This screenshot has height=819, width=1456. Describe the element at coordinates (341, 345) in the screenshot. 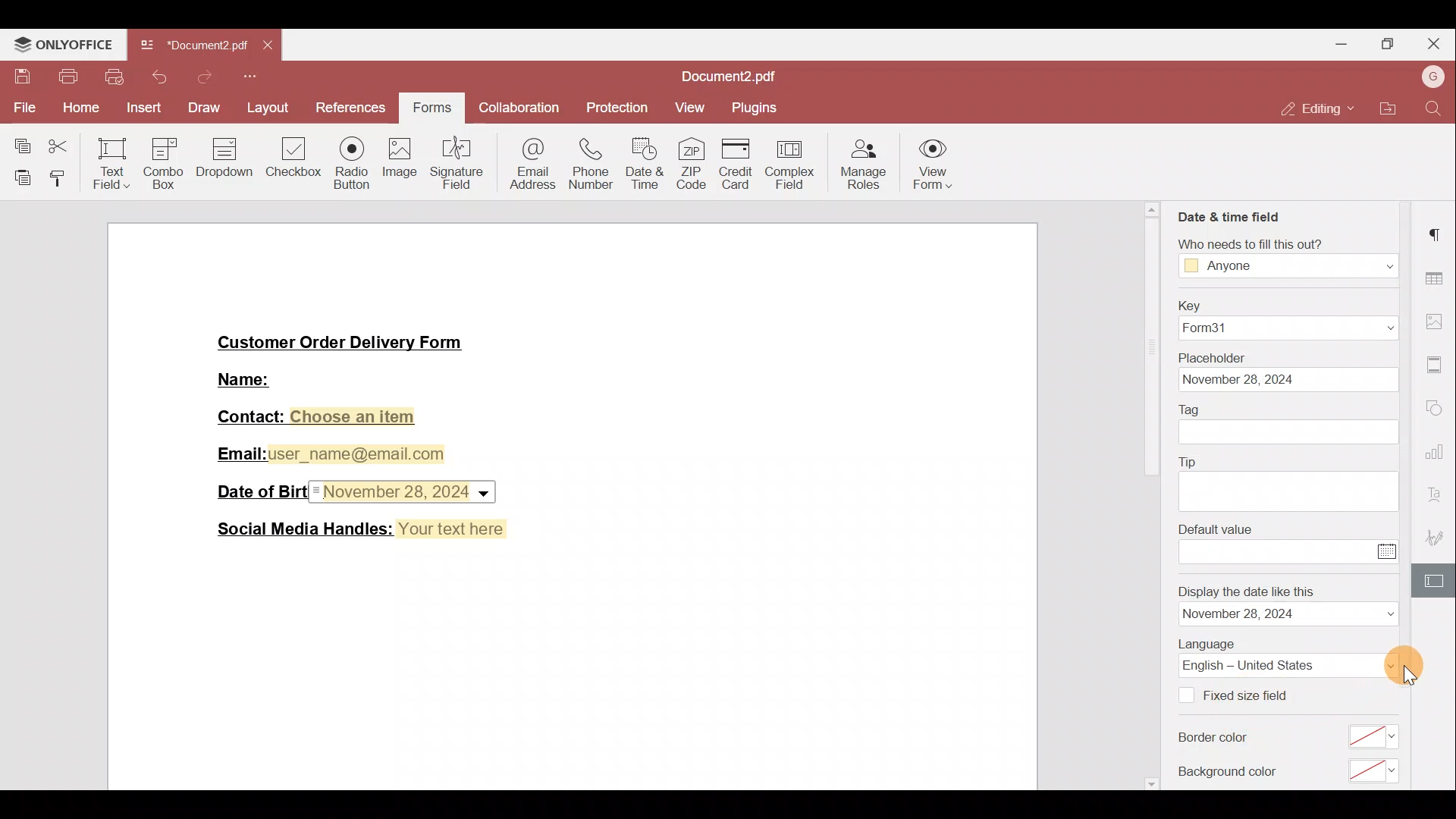

I see `Customer Order Delivery Form|` at that location.